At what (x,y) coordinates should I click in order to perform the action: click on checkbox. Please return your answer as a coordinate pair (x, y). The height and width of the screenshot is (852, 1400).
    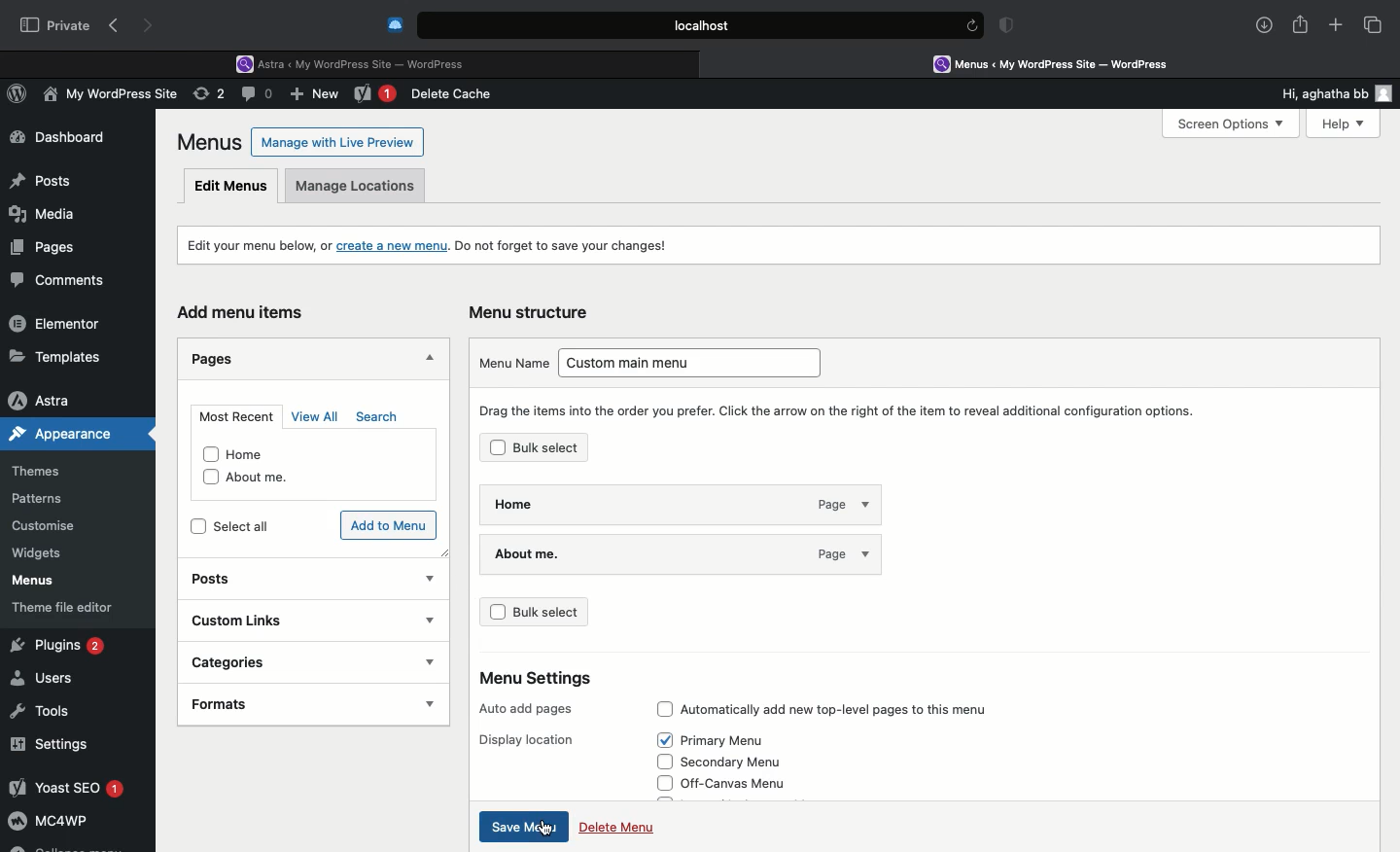
    Looking at the image, I should click on (209, 476).